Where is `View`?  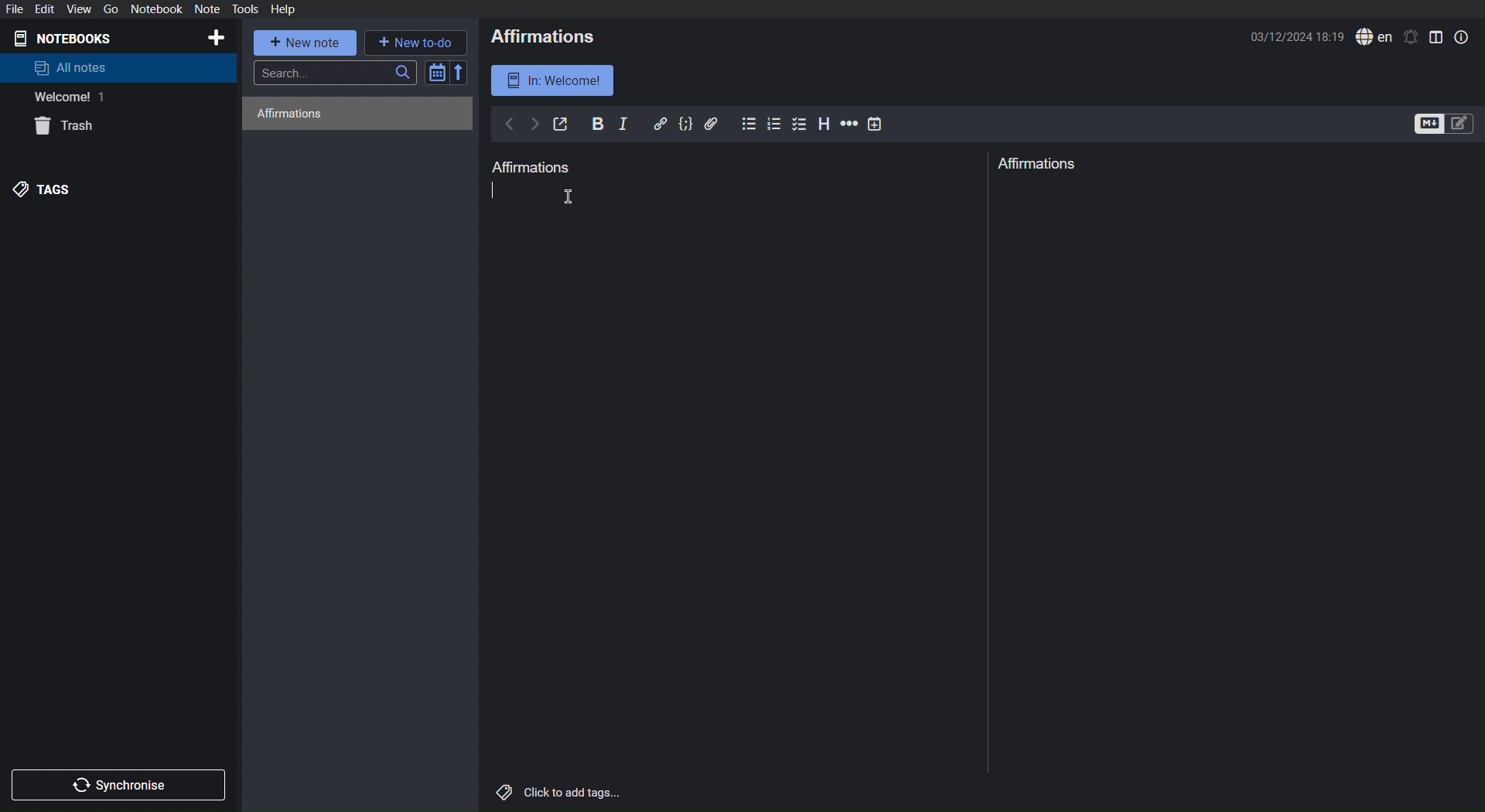
View is located at coordinates (78, 9).